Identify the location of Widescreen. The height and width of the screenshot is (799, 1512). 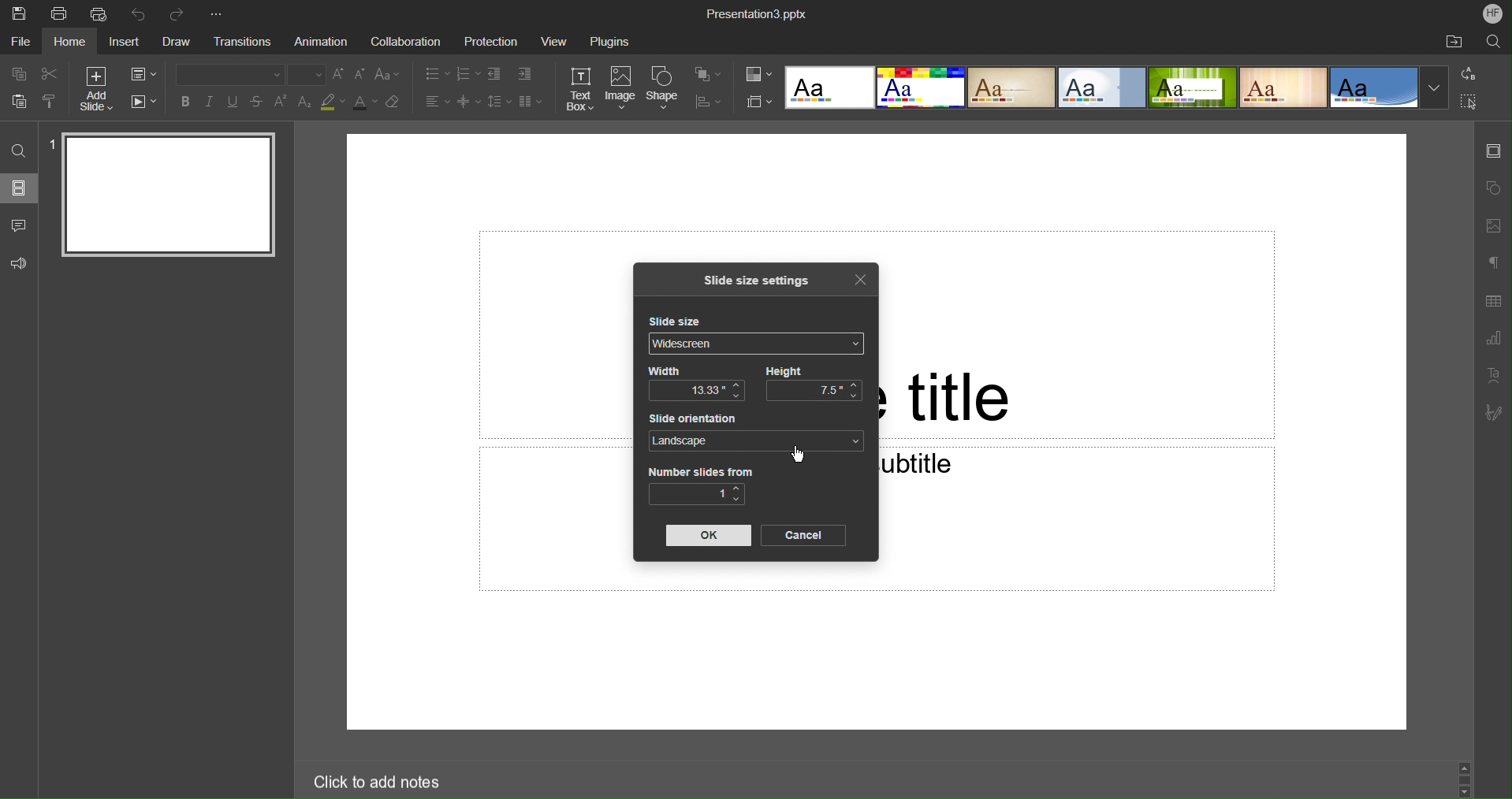
(758, 344).